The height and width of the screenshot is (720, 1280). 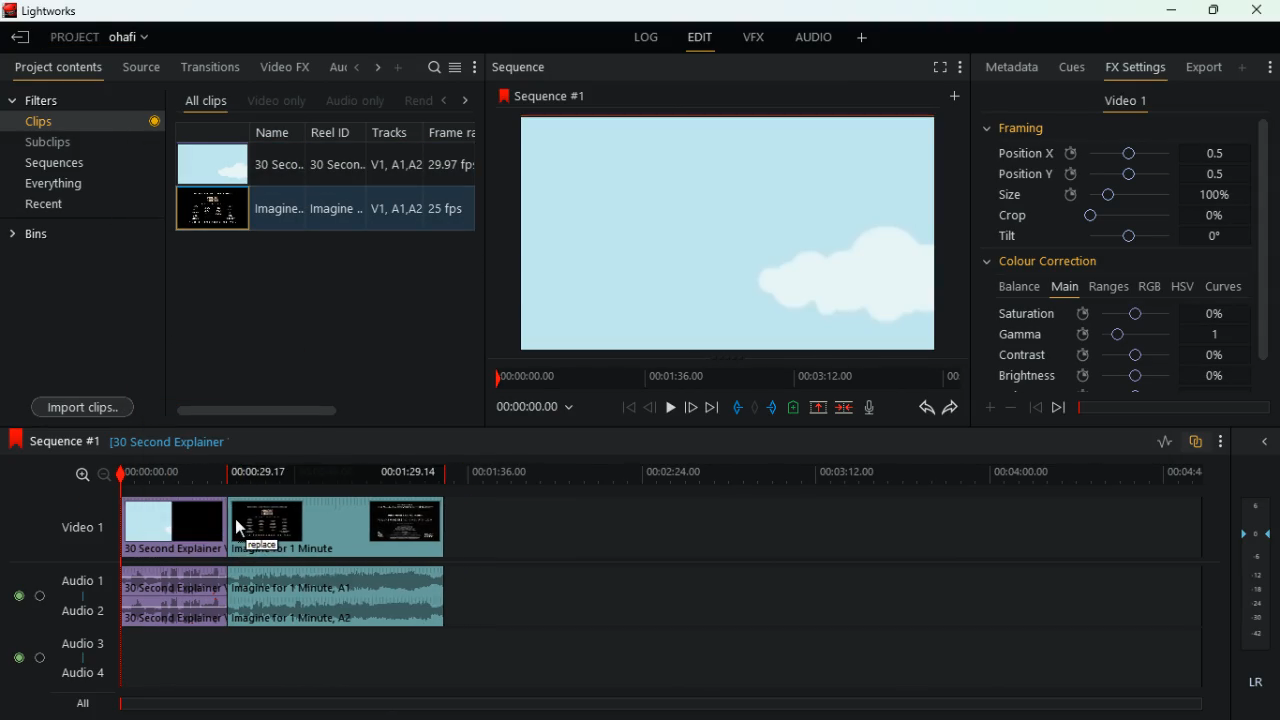 I want to click on colour correction, so click(x=1048, y=261).